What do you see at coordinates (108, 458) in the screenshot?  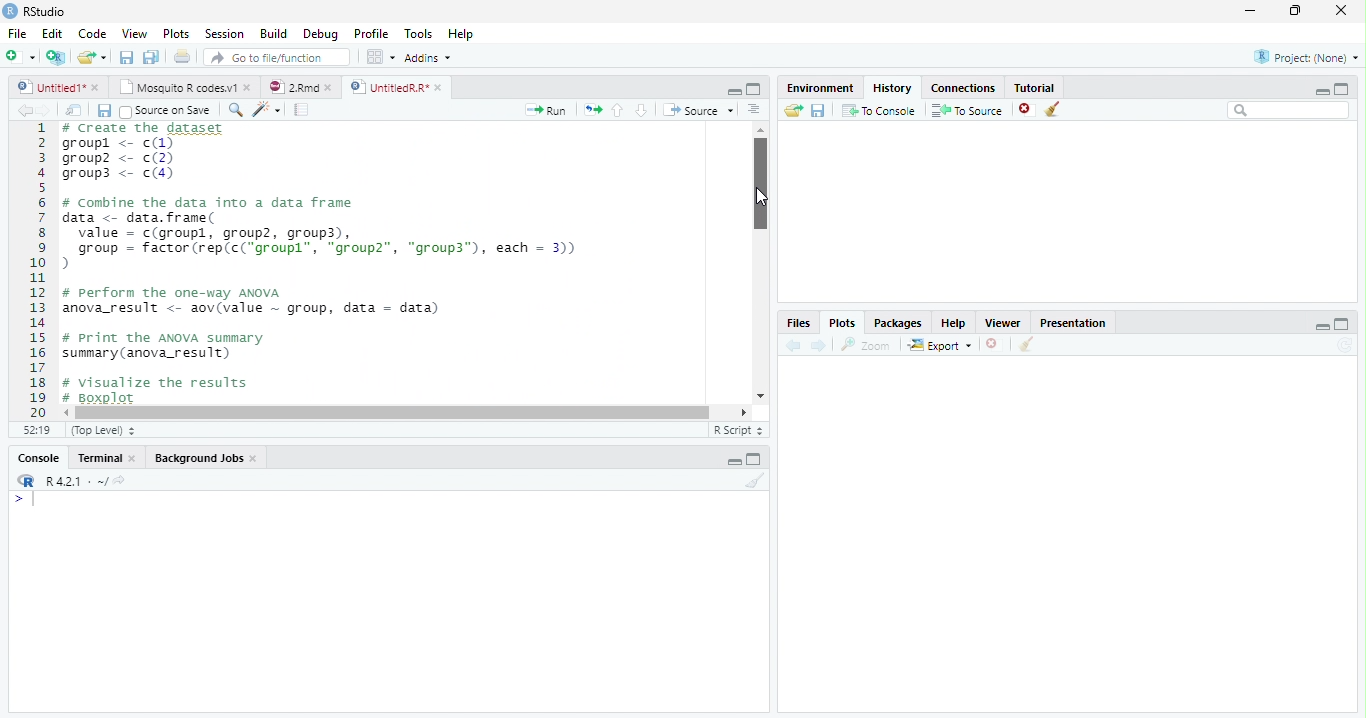 I see `Terminal` at bounding box center [108, 458].